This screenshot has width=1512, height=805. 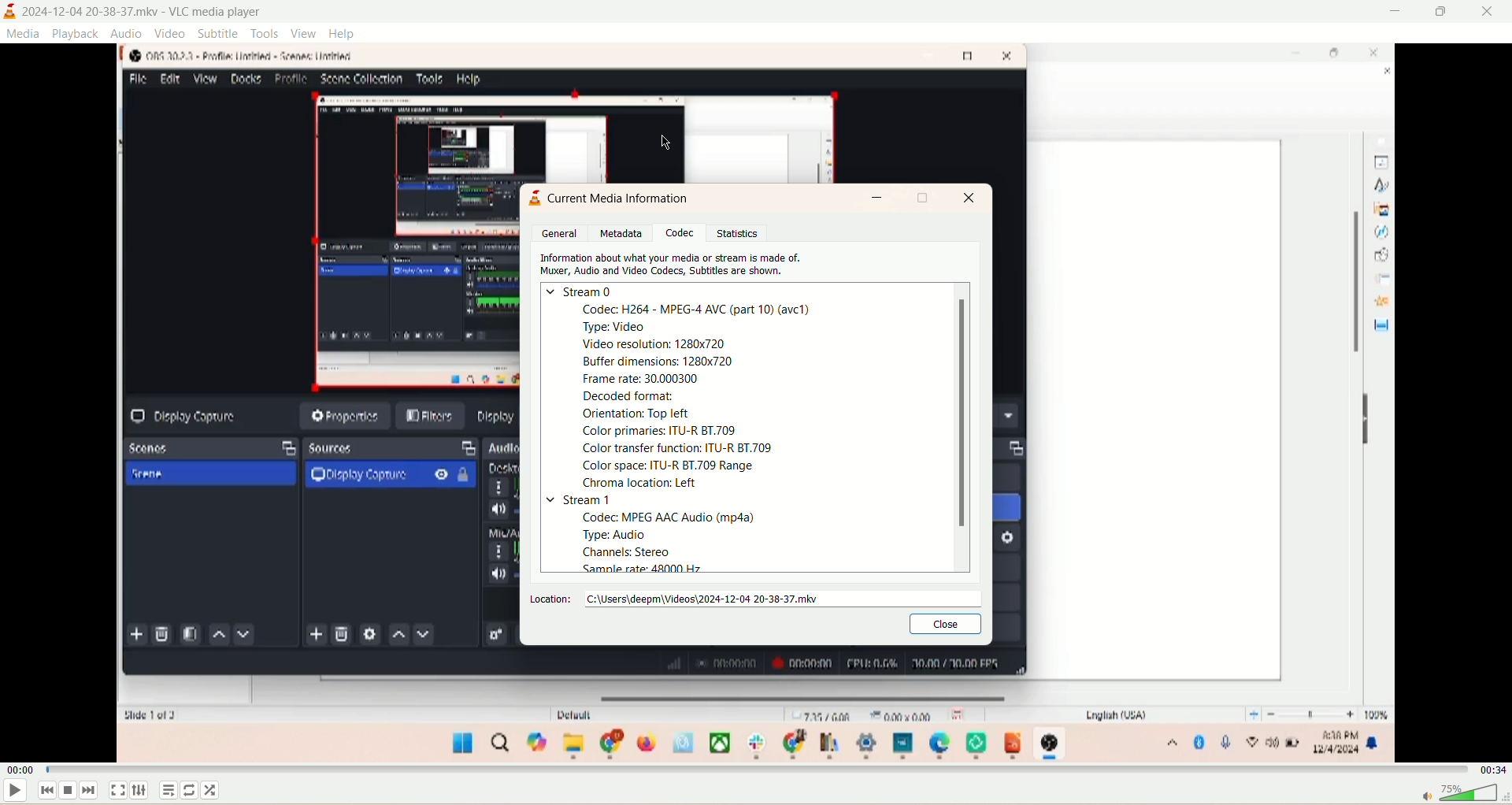 What do you see at coordinates (265, 33) in the screenshot?
I see `tools` at bounding box center [265, 33].